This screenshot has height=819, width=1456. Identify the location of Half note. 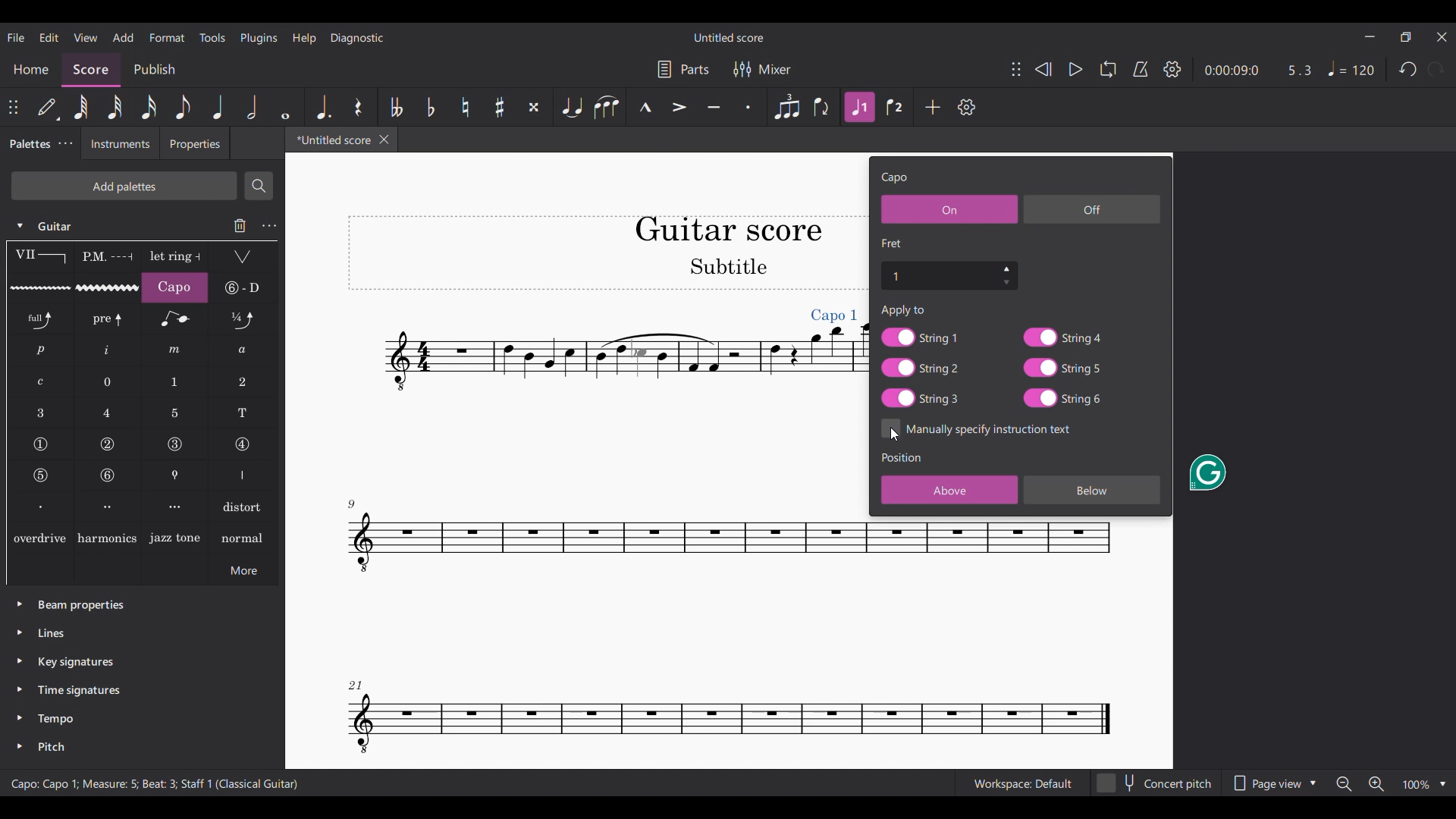
(253, 107).